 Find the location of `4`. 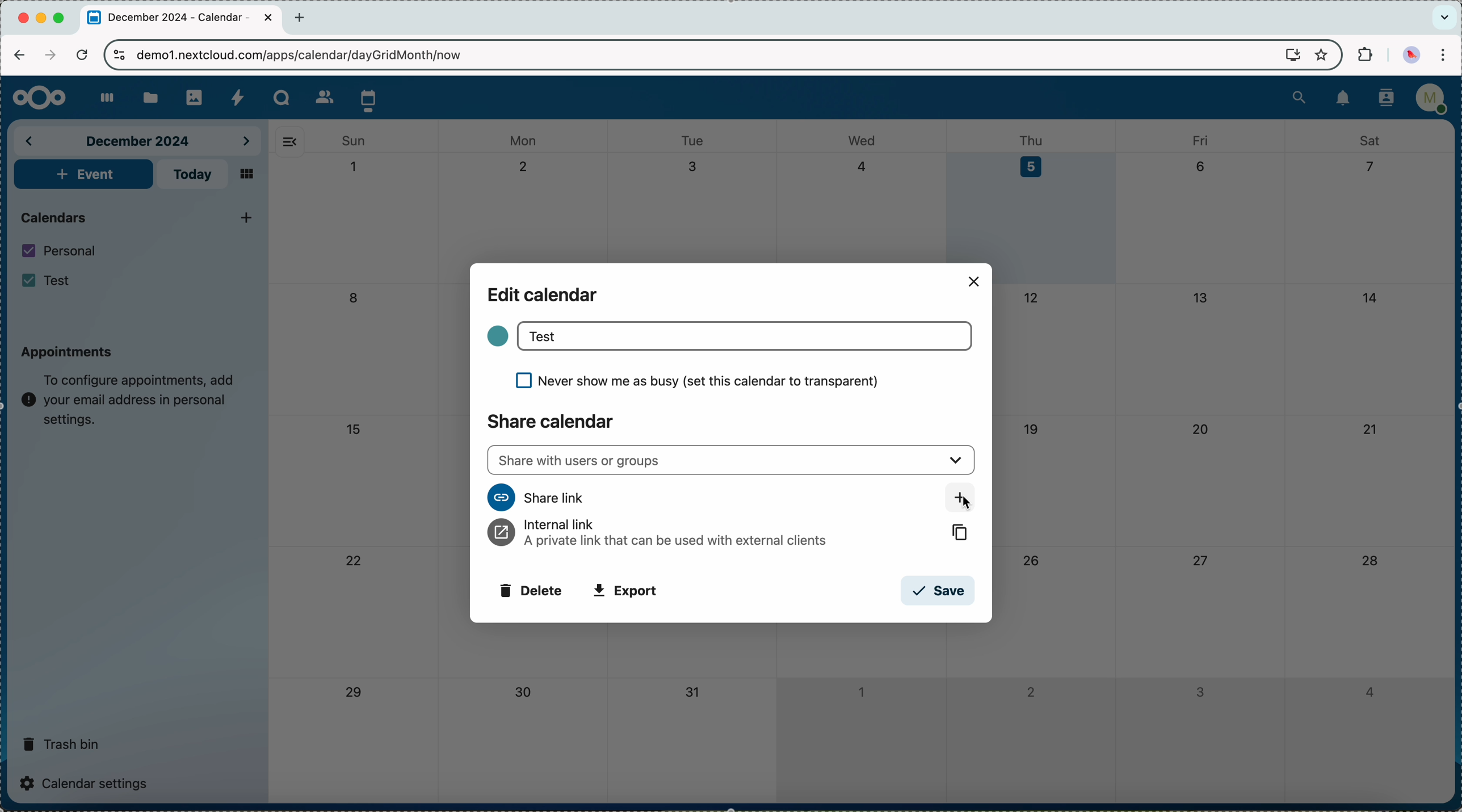

4 is located at coordinates (1368, 692).